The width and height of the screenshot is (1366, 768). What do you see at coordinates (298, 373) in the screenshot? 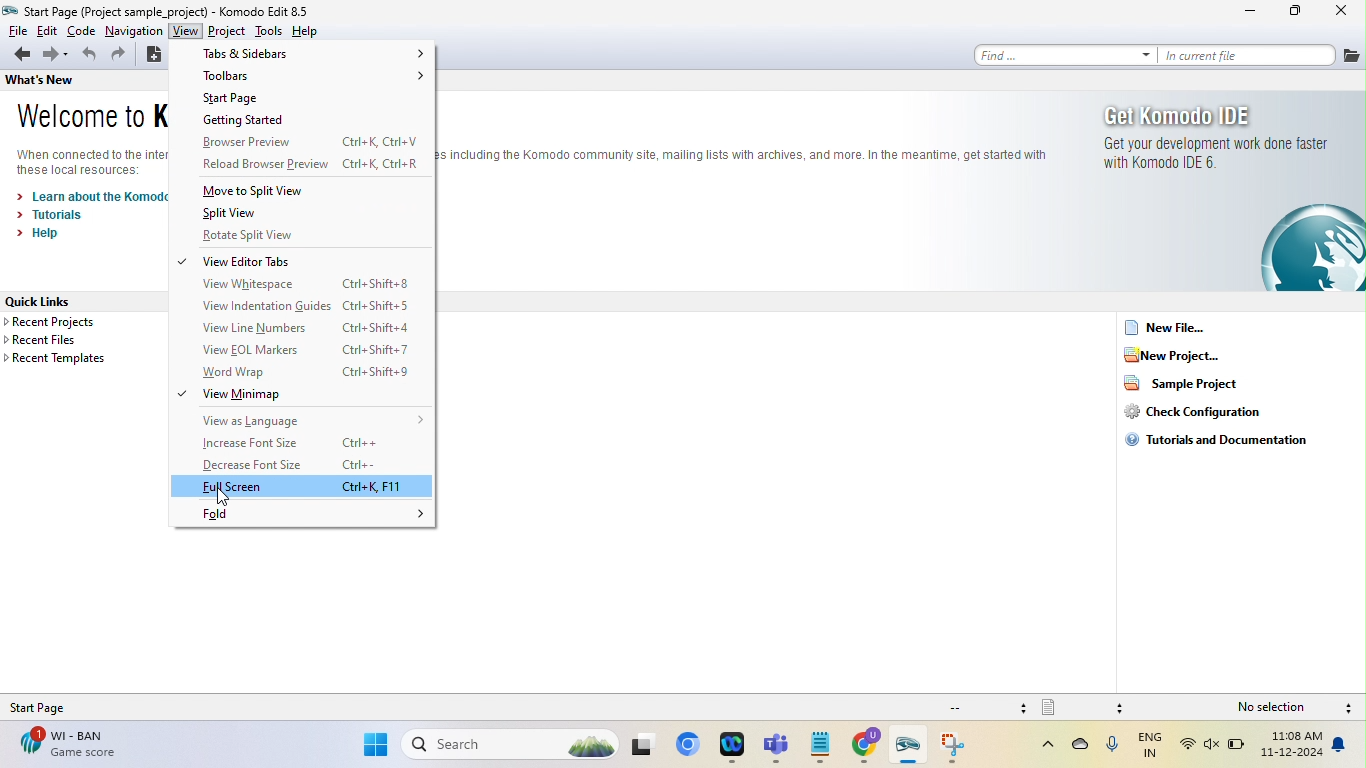
I see `word wrap` at bounding box center [298, 373].